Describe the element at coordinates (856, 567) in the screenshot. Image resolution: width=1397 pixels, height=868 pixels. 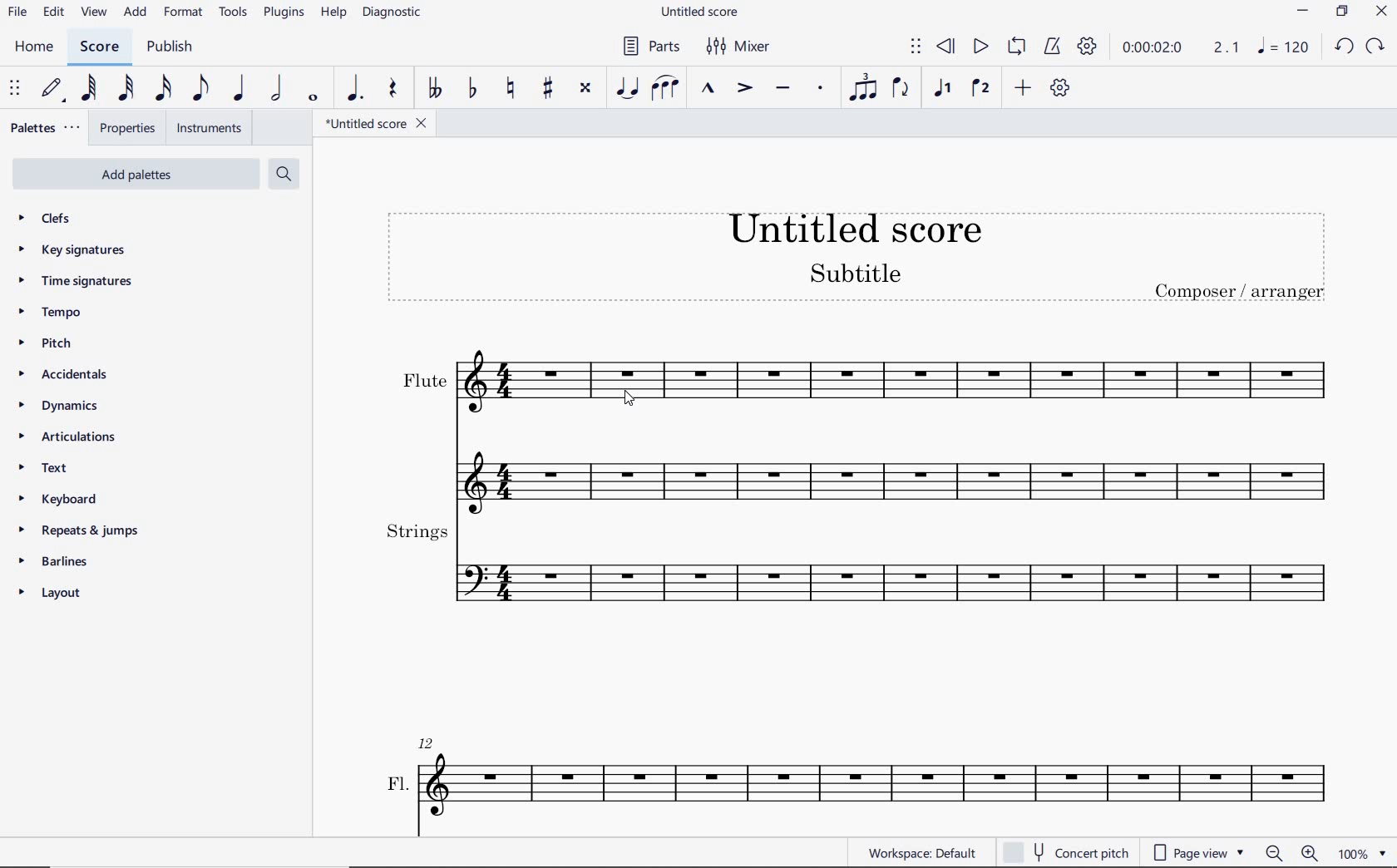
I see `strings` at that location.